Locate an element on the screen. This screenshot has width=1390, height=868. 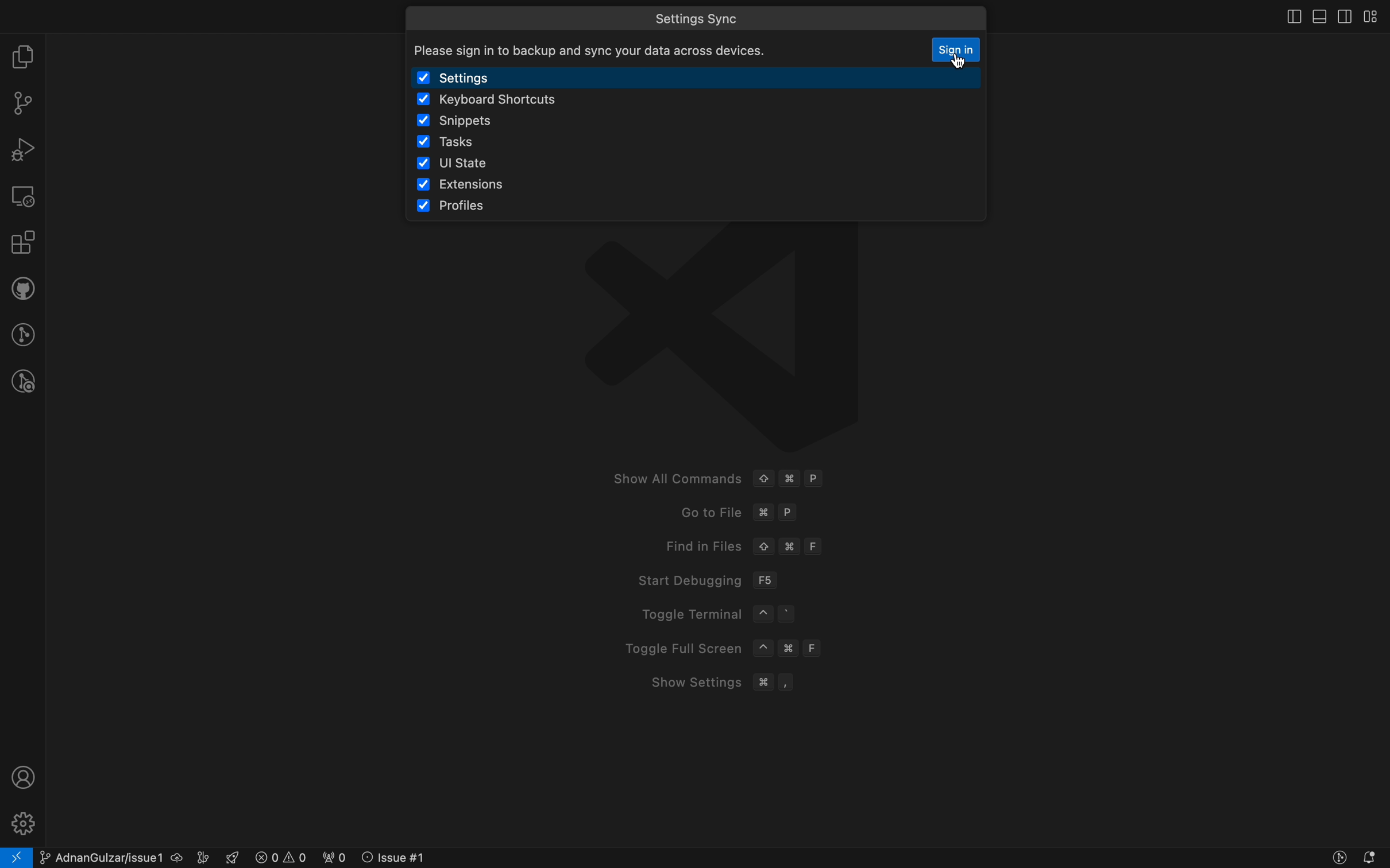
remote is located at coordinates (24, 196).